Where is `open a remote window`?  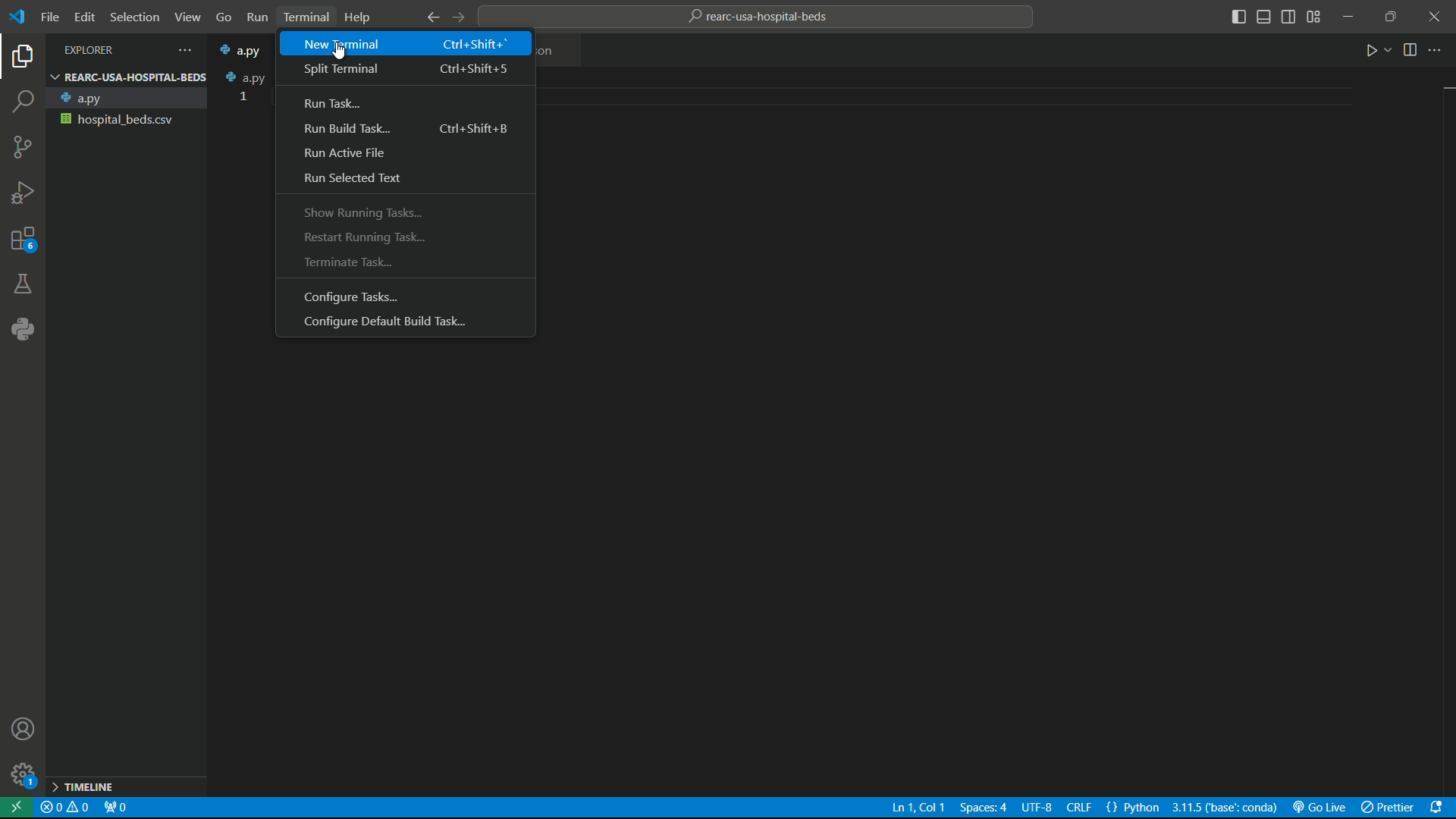
open a remote window is located at coordinates (18, 808).